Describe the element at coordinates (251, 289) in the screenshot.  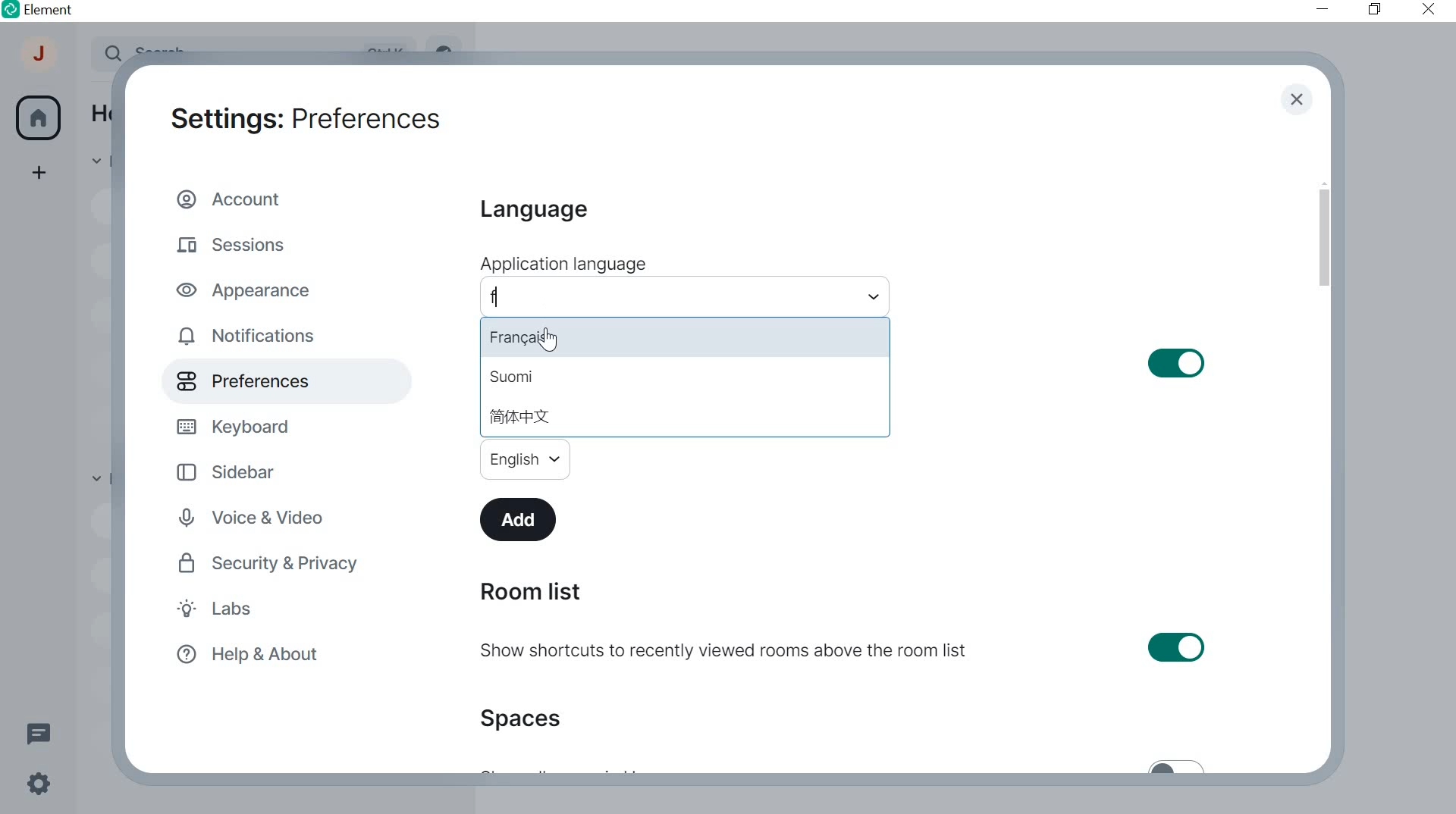
I see `APPEARANCE` at that location.